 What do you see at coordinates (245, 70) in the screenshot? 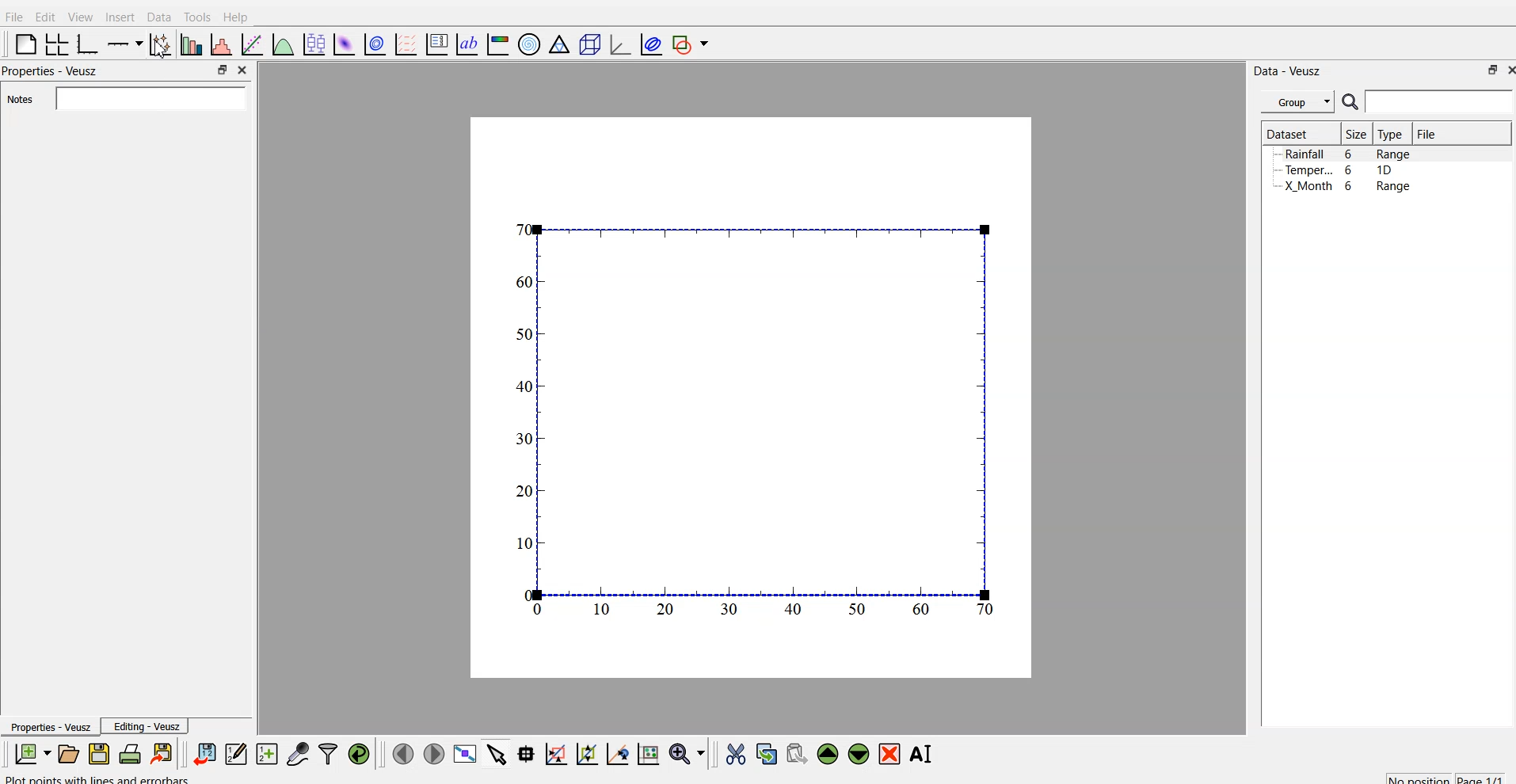
I see `close` at bounding box center [245, 70].